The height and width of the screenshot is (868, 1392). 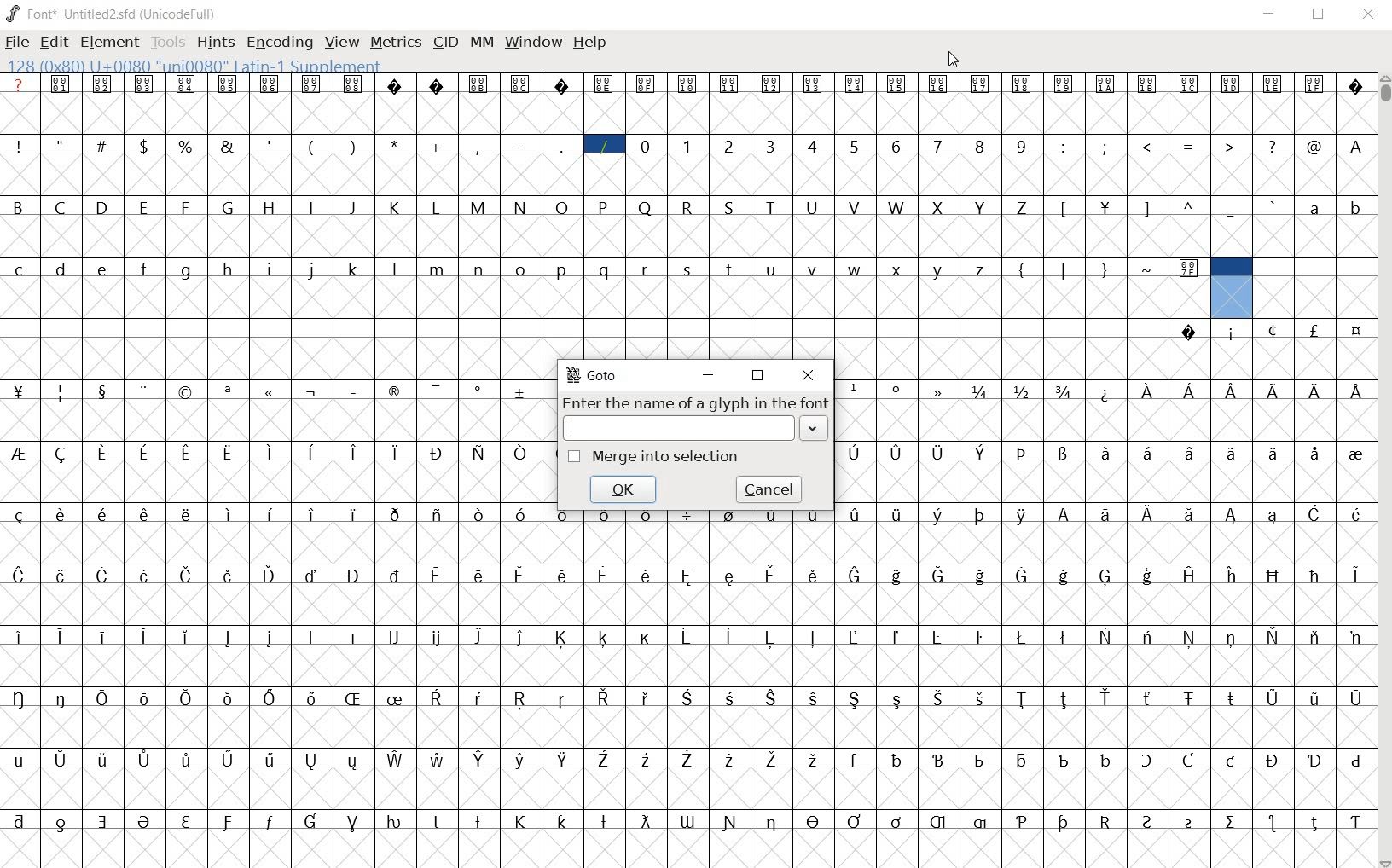 What do you see at coordinates (1314, 822) in the screenshot?
I see `Symbol` at bounding box center [1314, 822].